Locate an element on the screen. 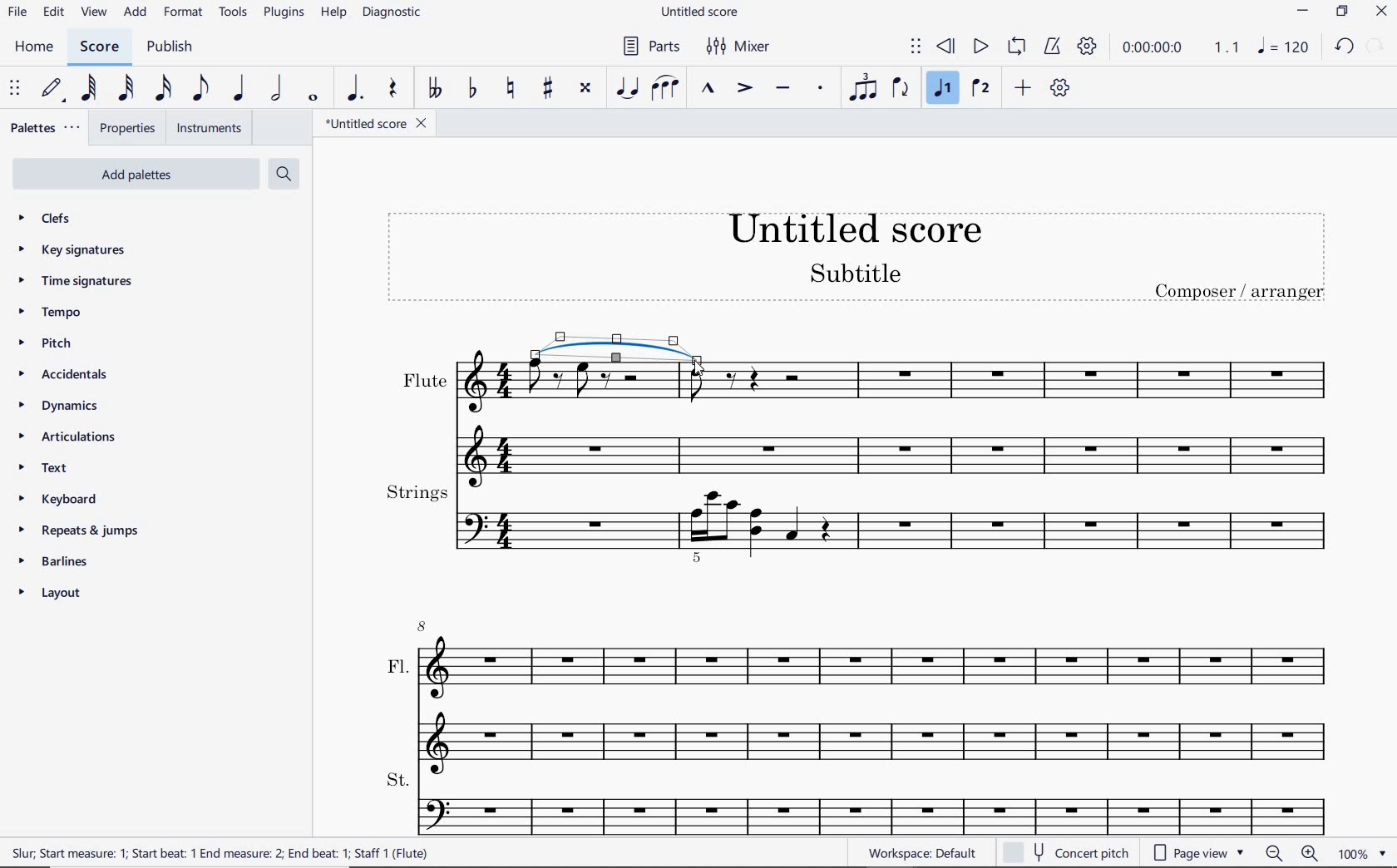 The image size is (1397, 868). mixer is located at coordinates (744, 47).